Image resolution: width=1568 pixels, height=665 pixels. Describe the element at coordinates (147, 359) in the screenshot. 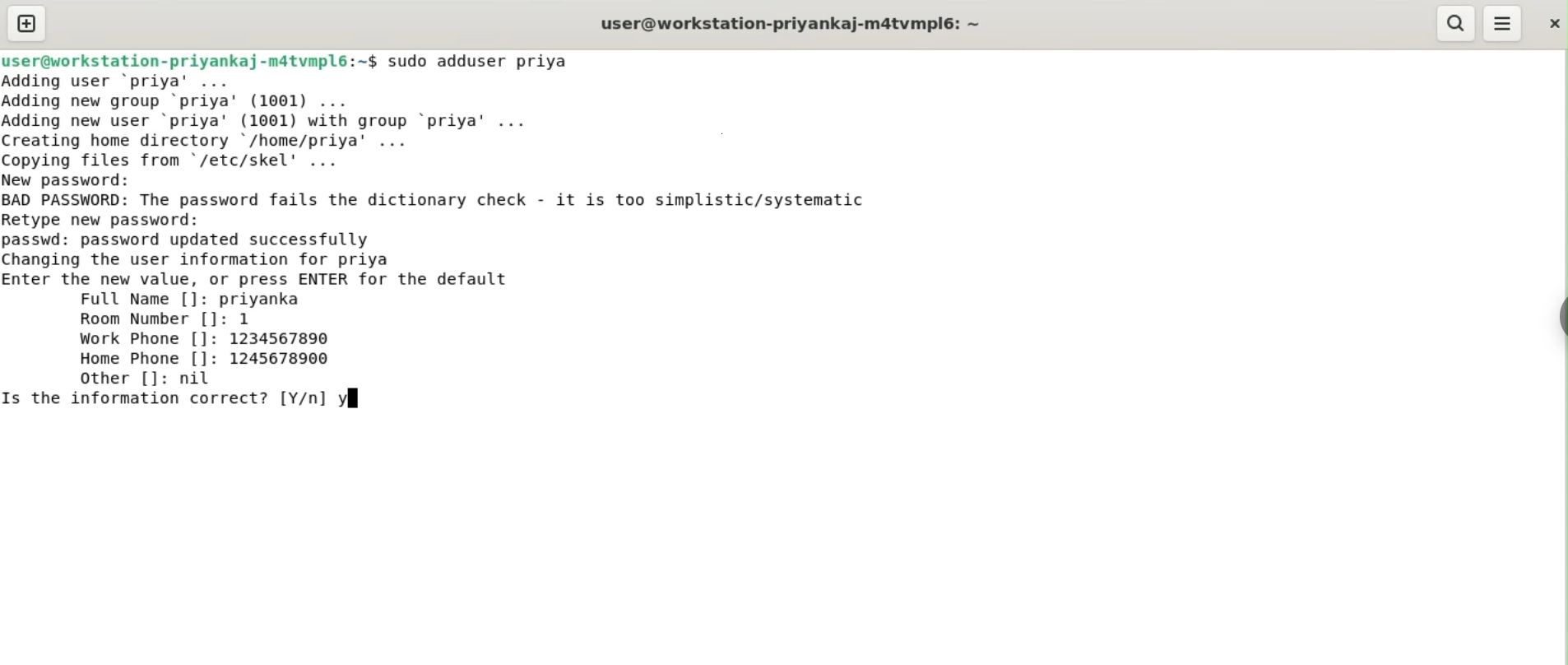

I see `home phone []:` at that location.